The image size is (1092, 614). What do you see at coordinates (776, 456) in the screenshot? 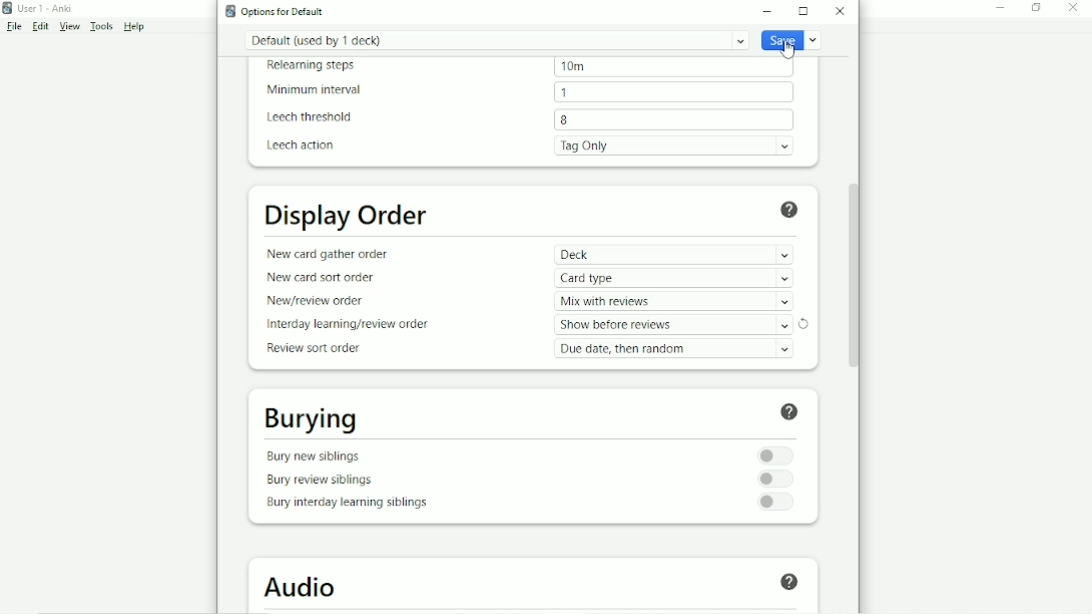
I see `Toggle for bury new siblings` at bounding box center [776, 456].